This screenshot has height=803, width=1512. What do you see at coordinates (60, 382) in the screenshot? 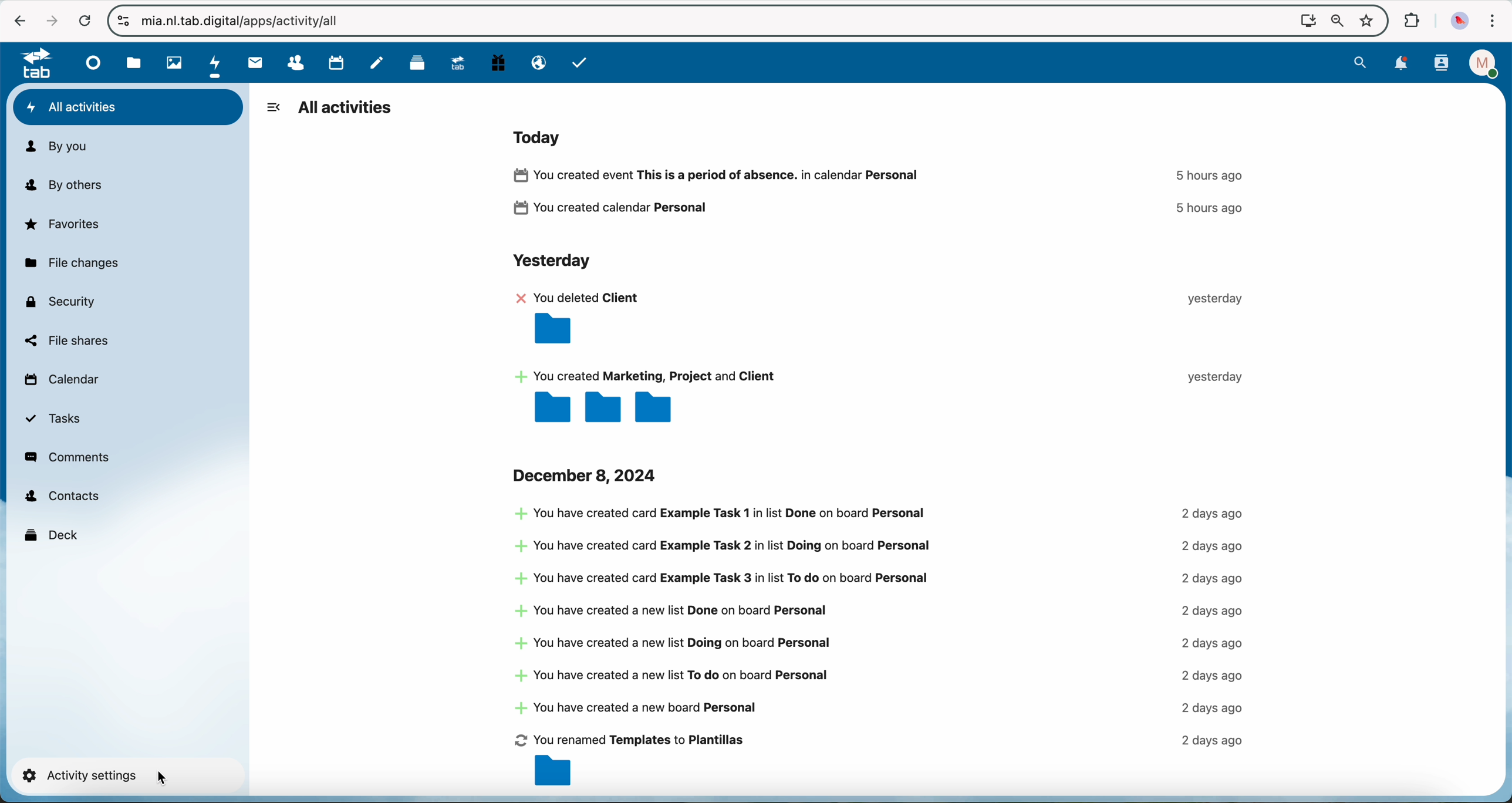
I see `calendar` at bounding box center [60, 382].